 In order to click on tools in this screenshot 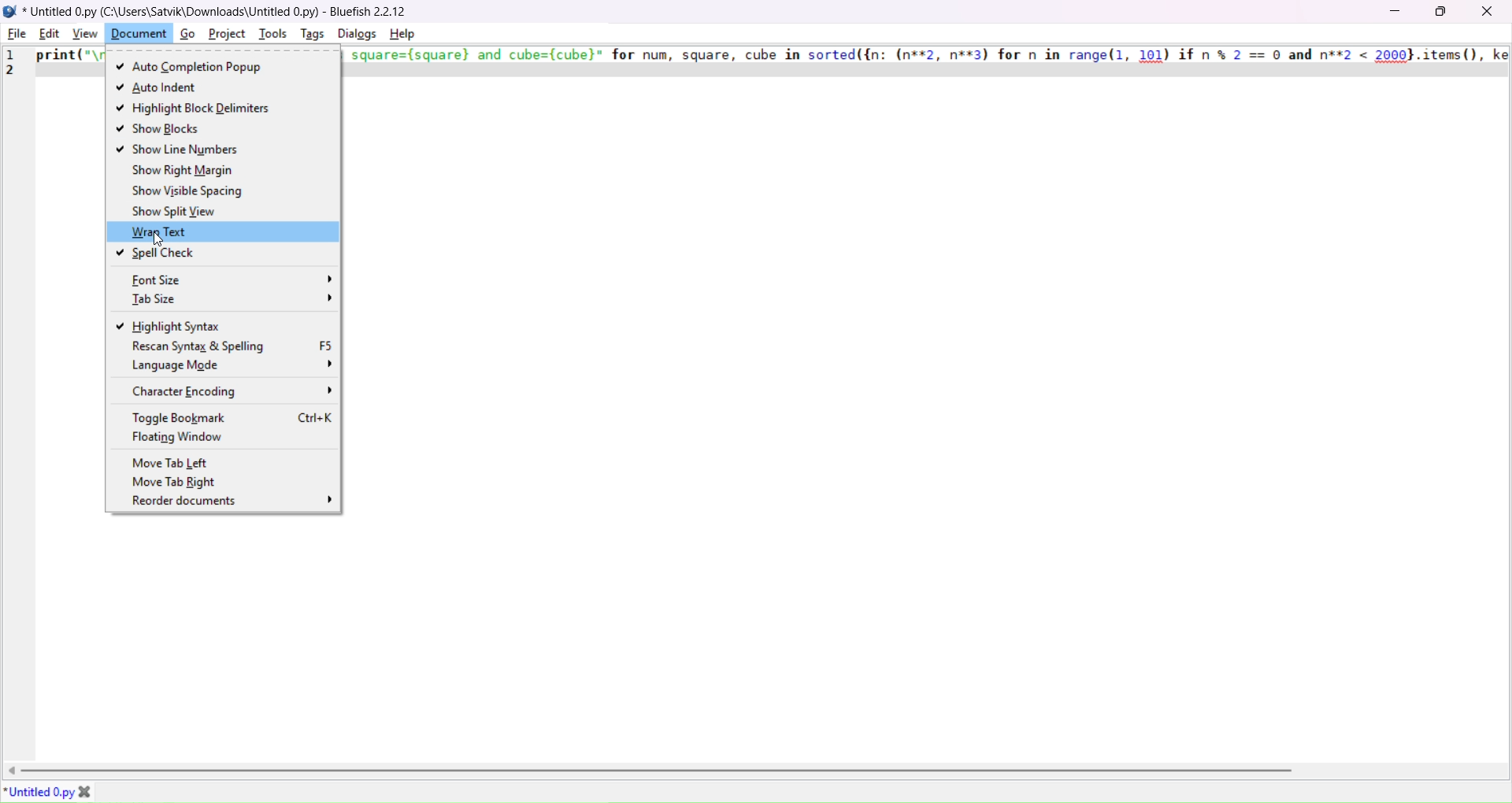, I will do `click(271, 33)`.